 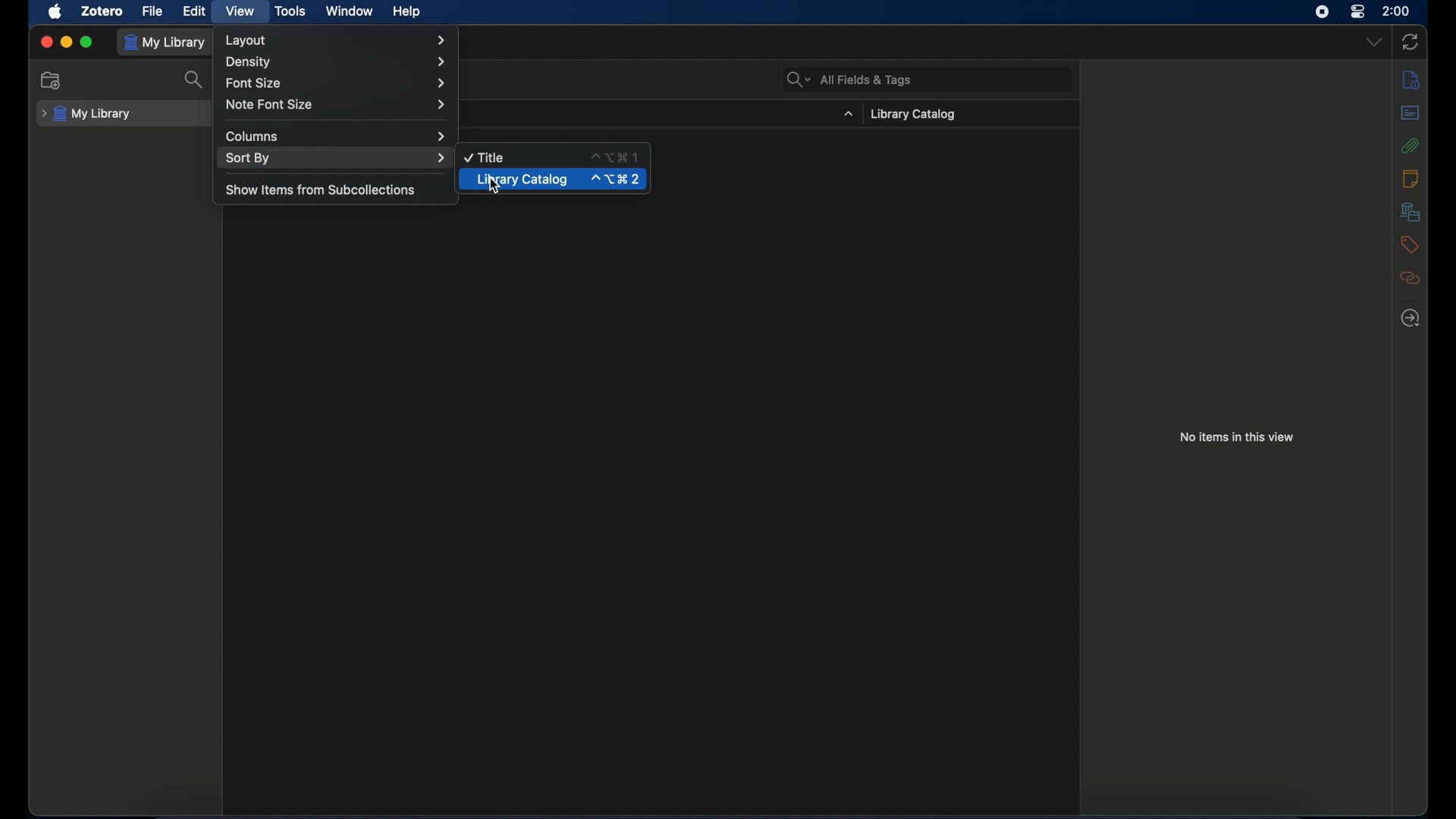 What do you see at coordinates (86, 40) in the screenshot?
I see `maximize` at bounding box center [86, 40].